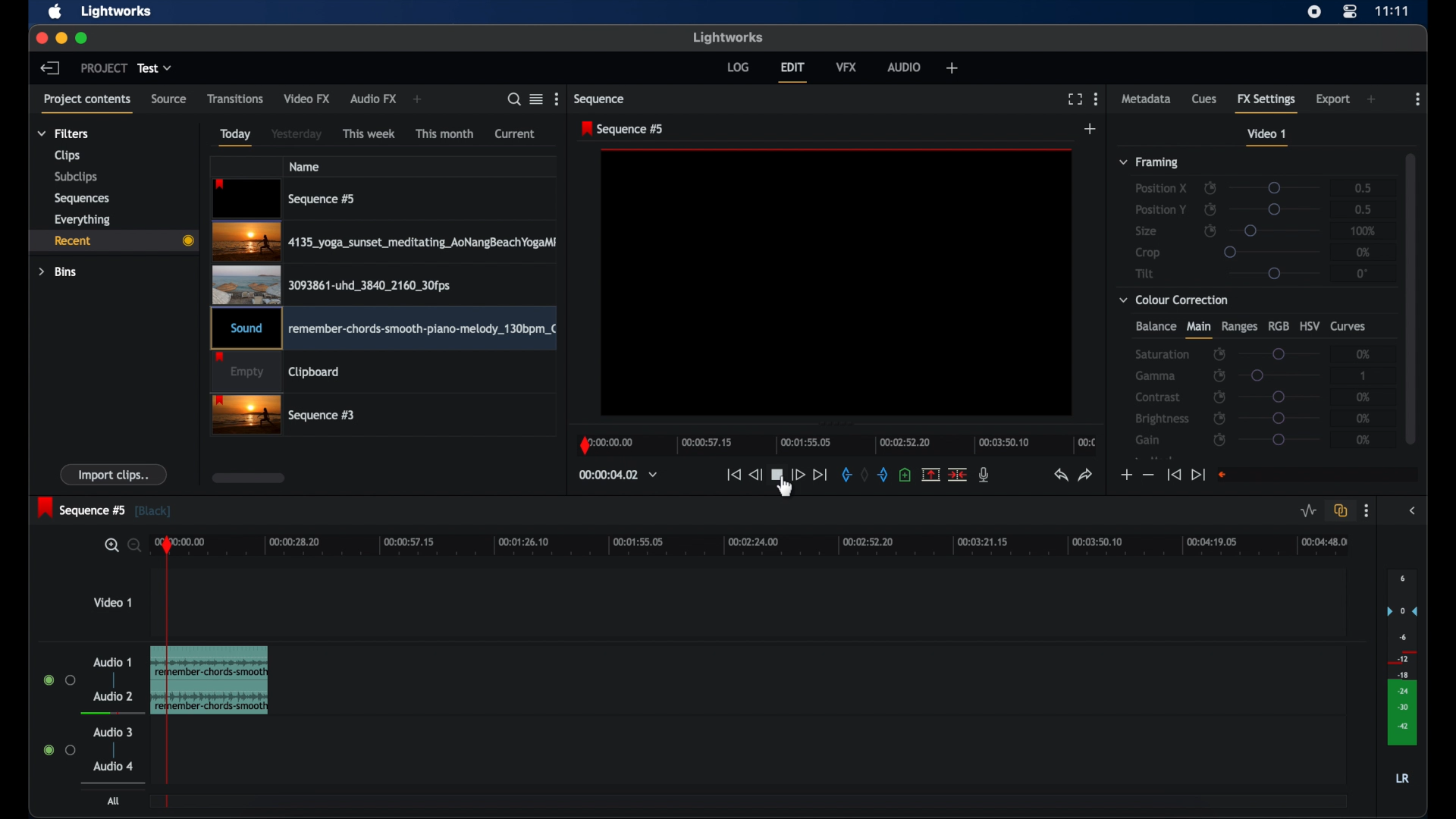  I want to click on enable/disable keyframes, so click(1219, 355).